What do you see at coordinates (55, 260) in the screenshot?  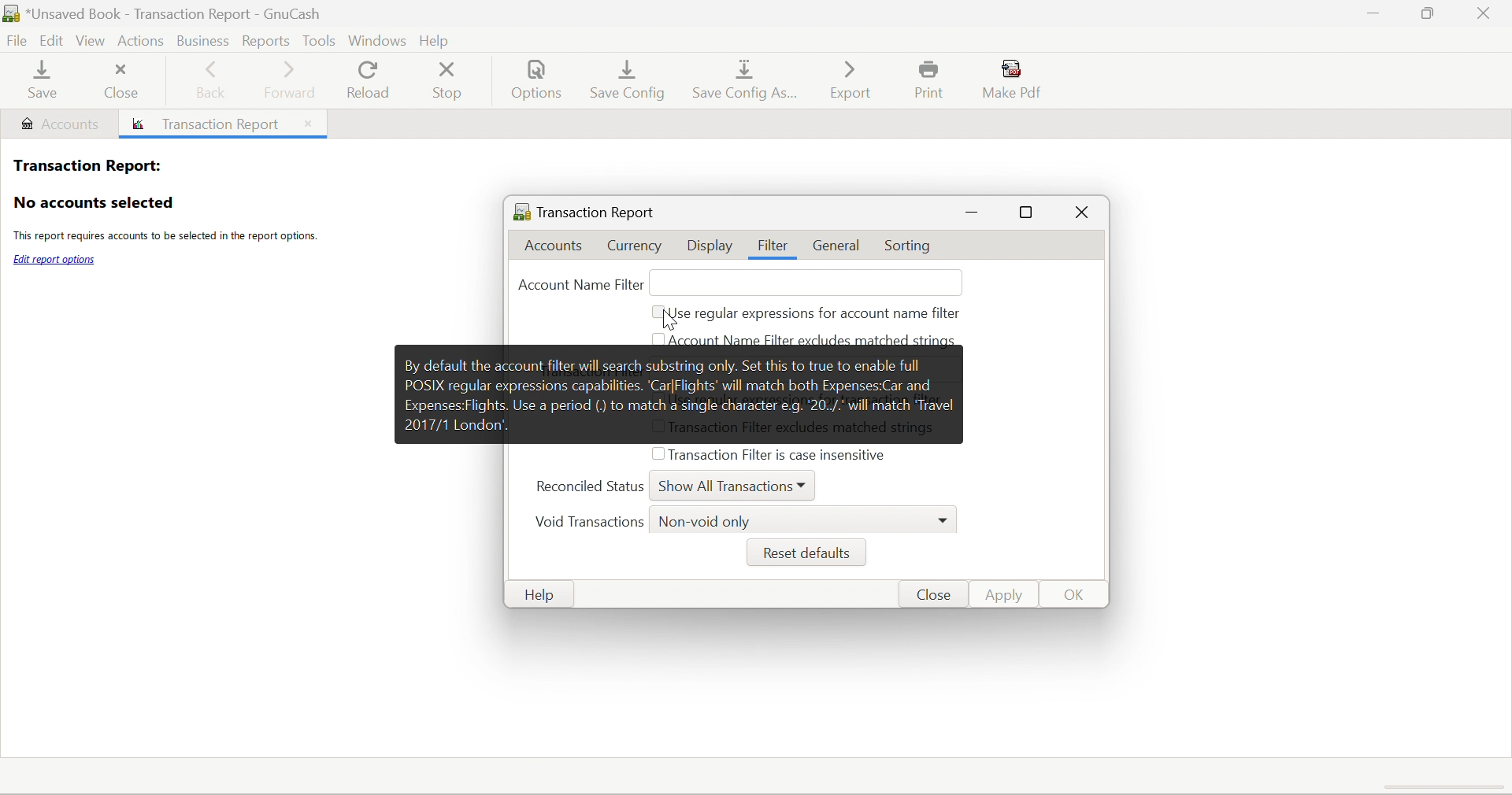 I see `Edit report options` at bounding box center [55, 260].